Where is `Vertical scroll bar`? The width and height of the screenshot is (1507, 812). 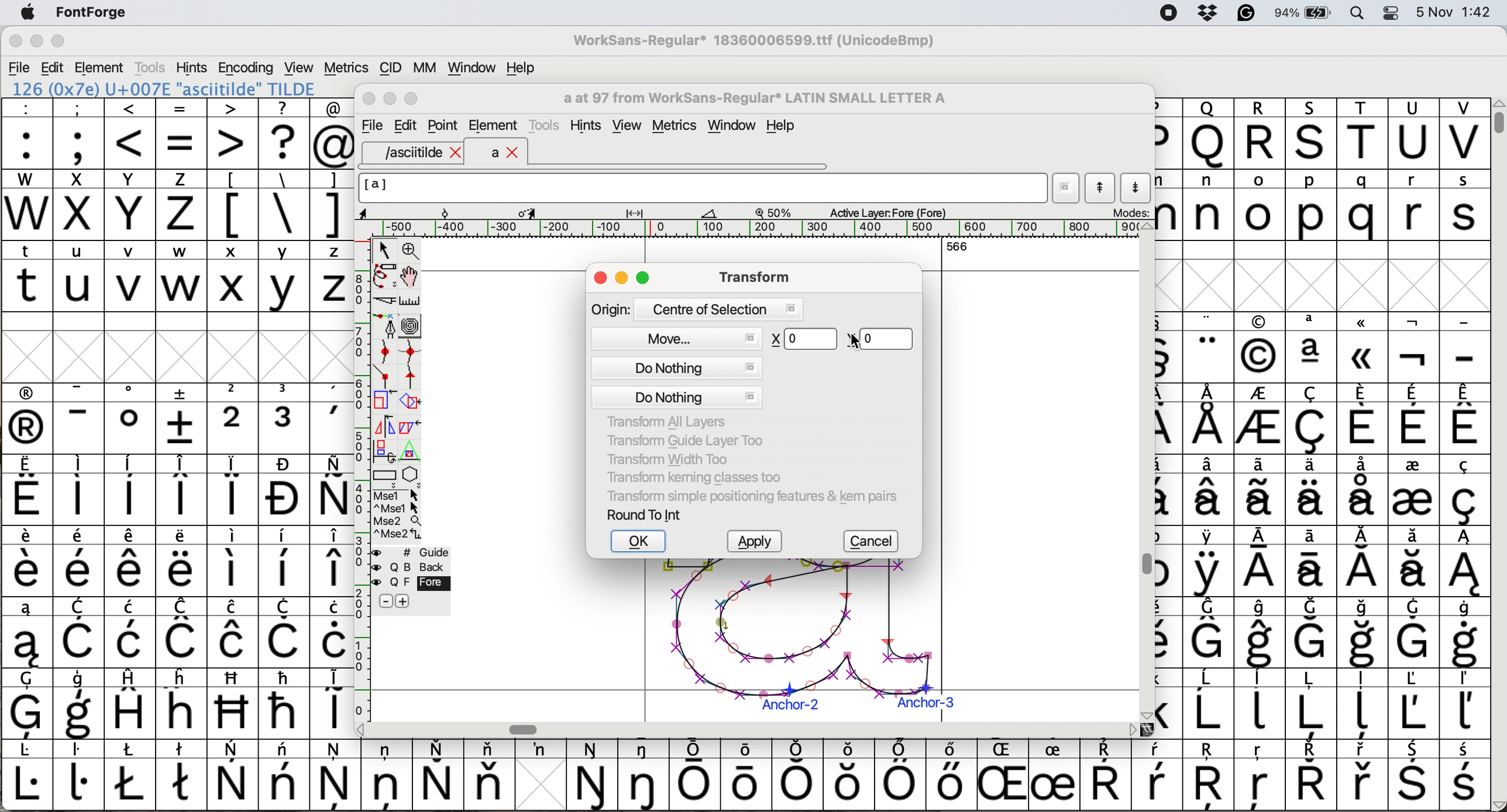
Vertical scroll bar is located at coordinates (1143, 566).